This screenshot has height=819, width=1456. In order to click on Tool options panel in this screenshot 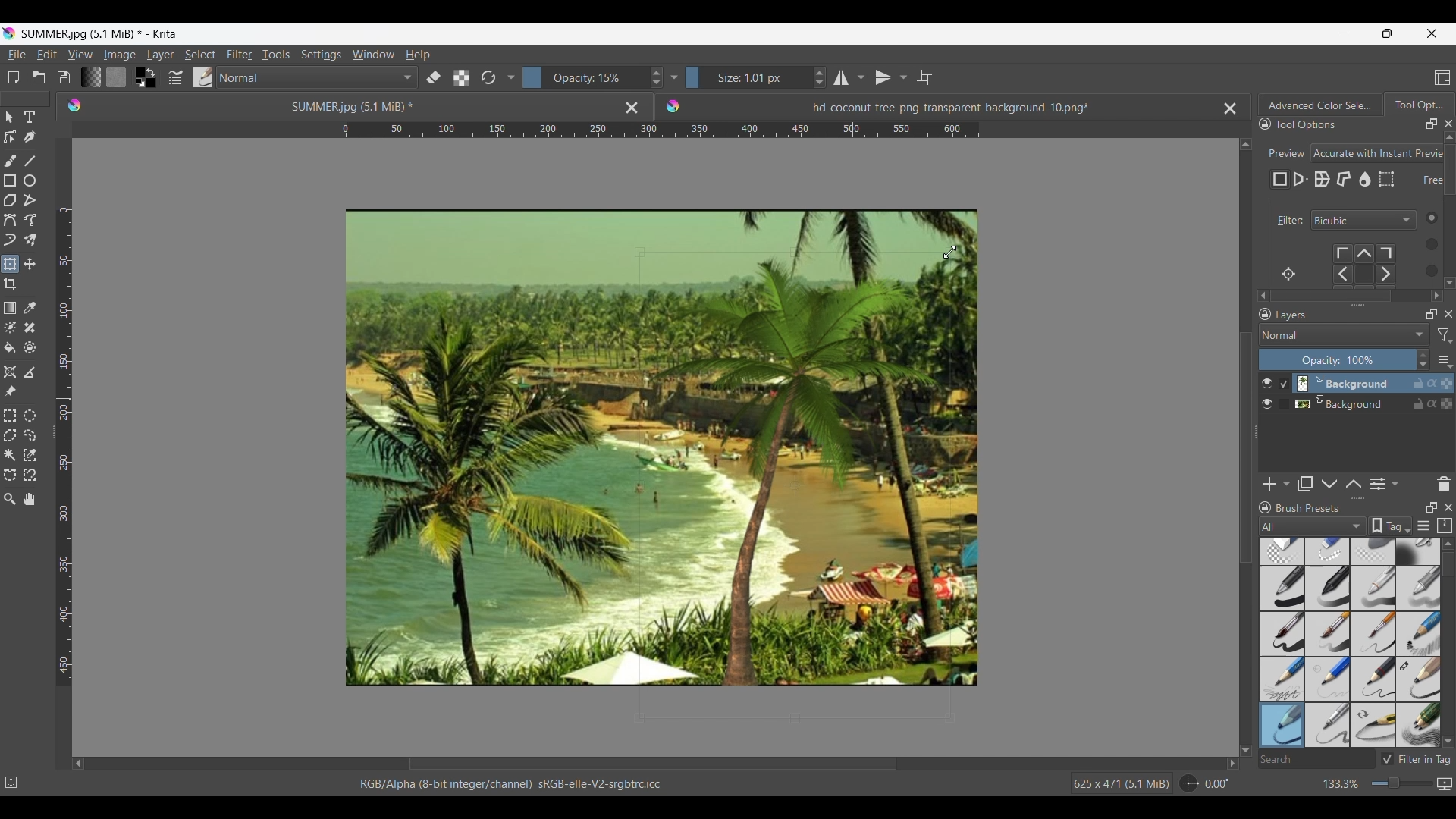, I will do `click(1418, 104)`.